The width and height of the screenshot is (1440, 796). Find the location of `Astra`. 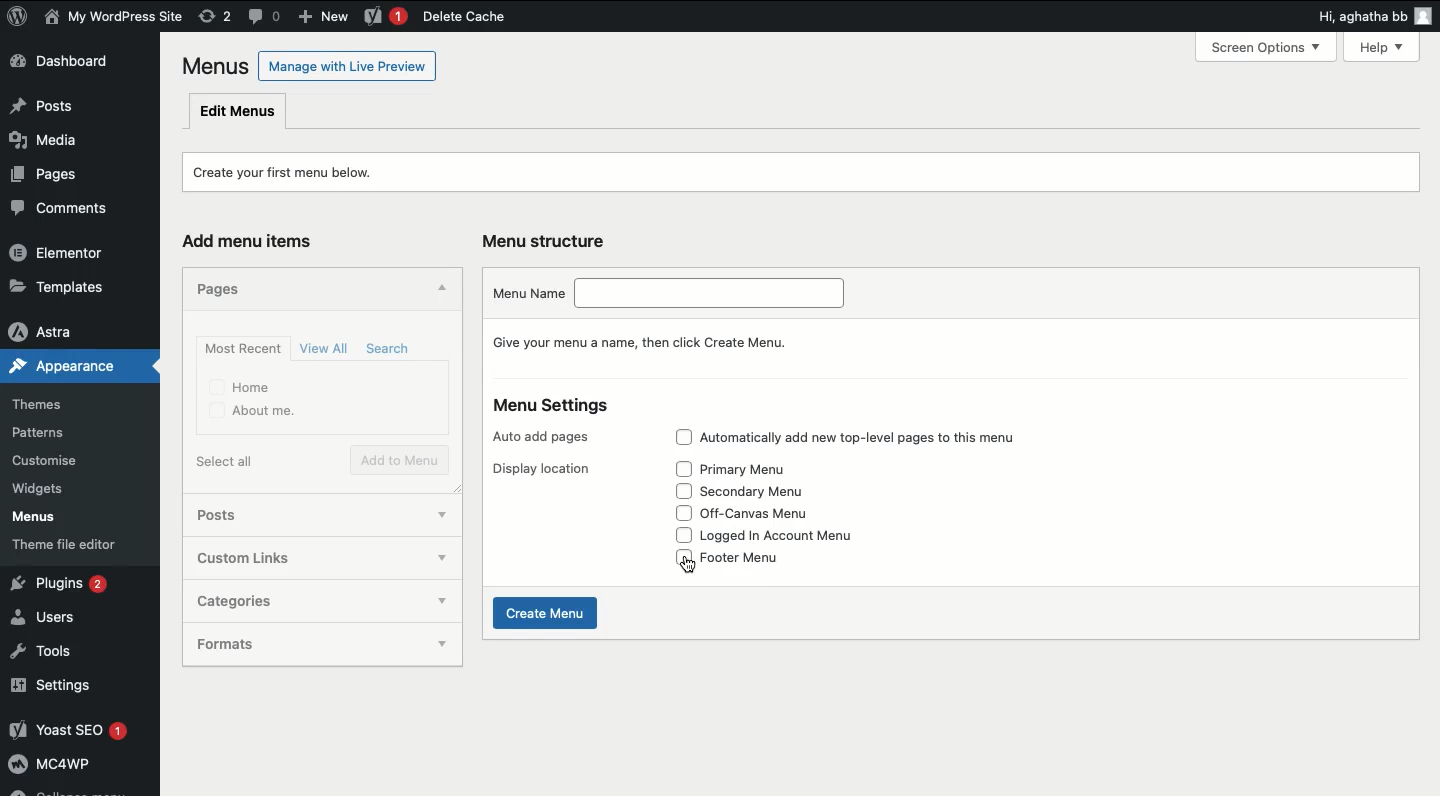

Astra is located at coordinates (71, 331).